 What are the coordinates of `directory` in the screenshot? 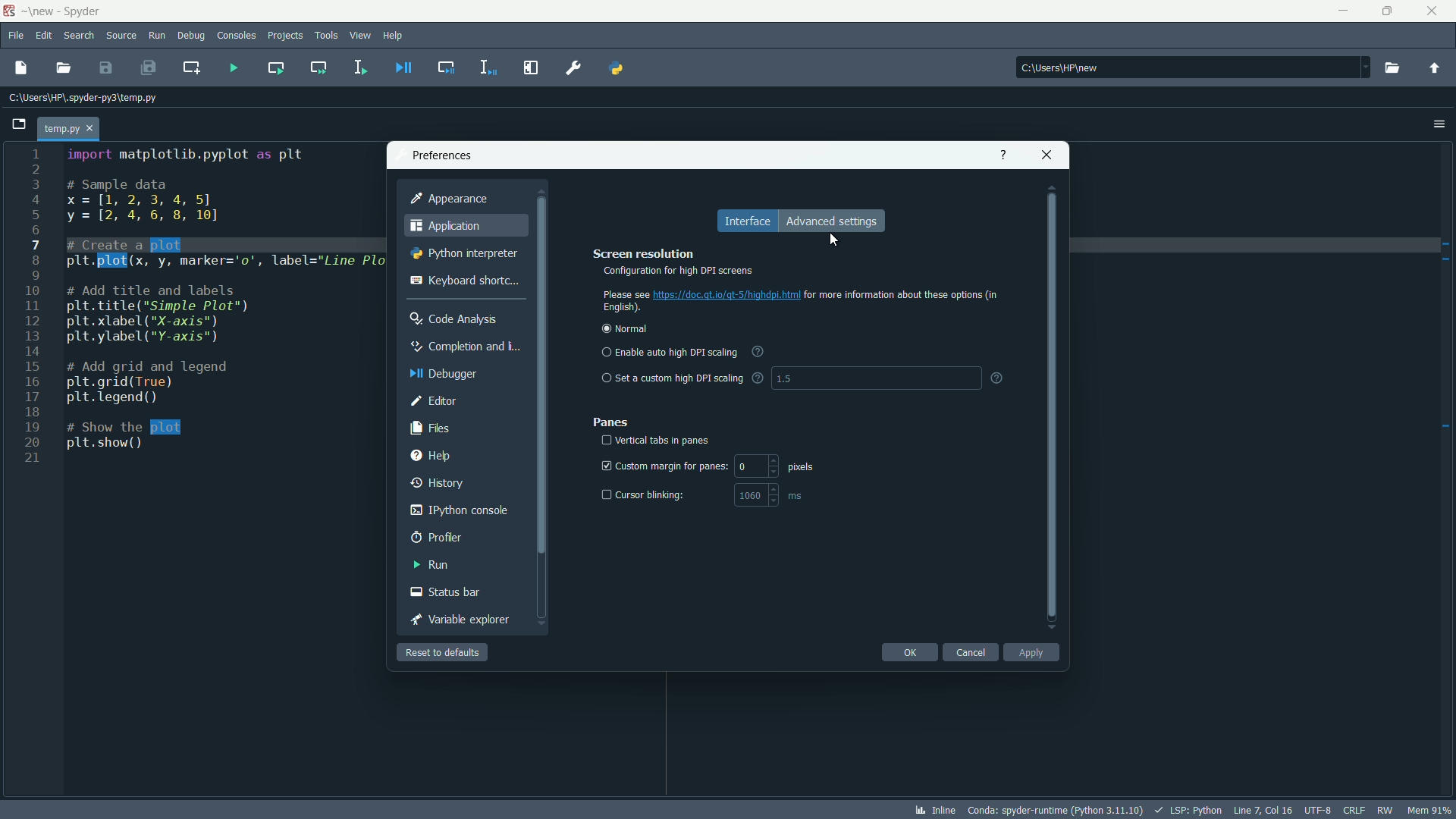 It's located at (1193, 67).